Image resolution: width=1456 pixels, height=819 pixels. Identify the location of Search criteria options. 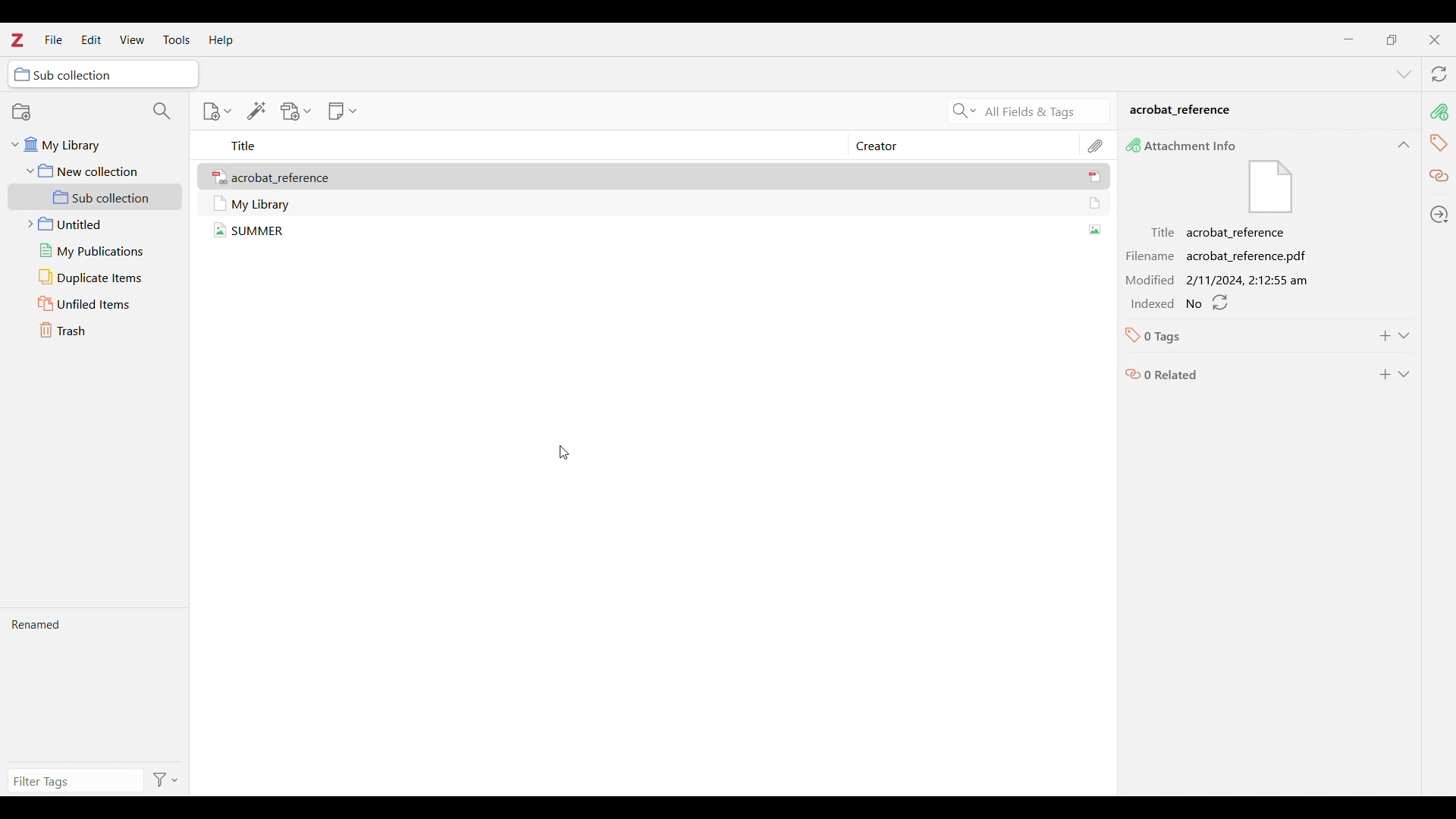
(962, 110).